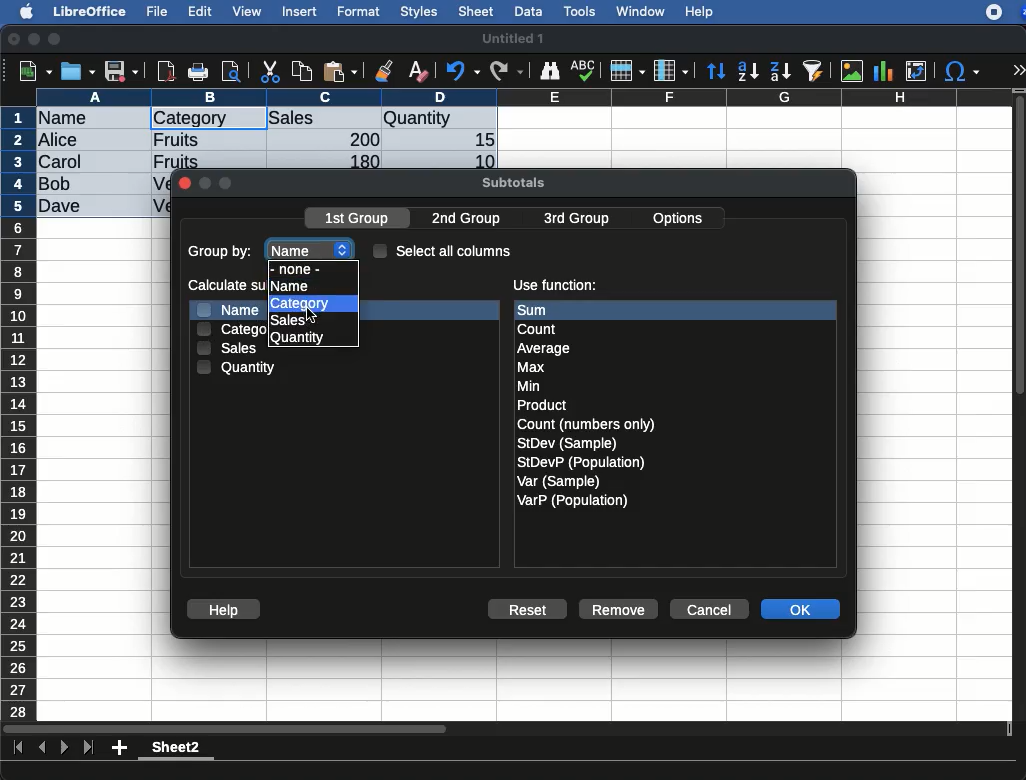  Describe the element at coordinates (554, 286) in the screenshot. I see `use function` at that location.